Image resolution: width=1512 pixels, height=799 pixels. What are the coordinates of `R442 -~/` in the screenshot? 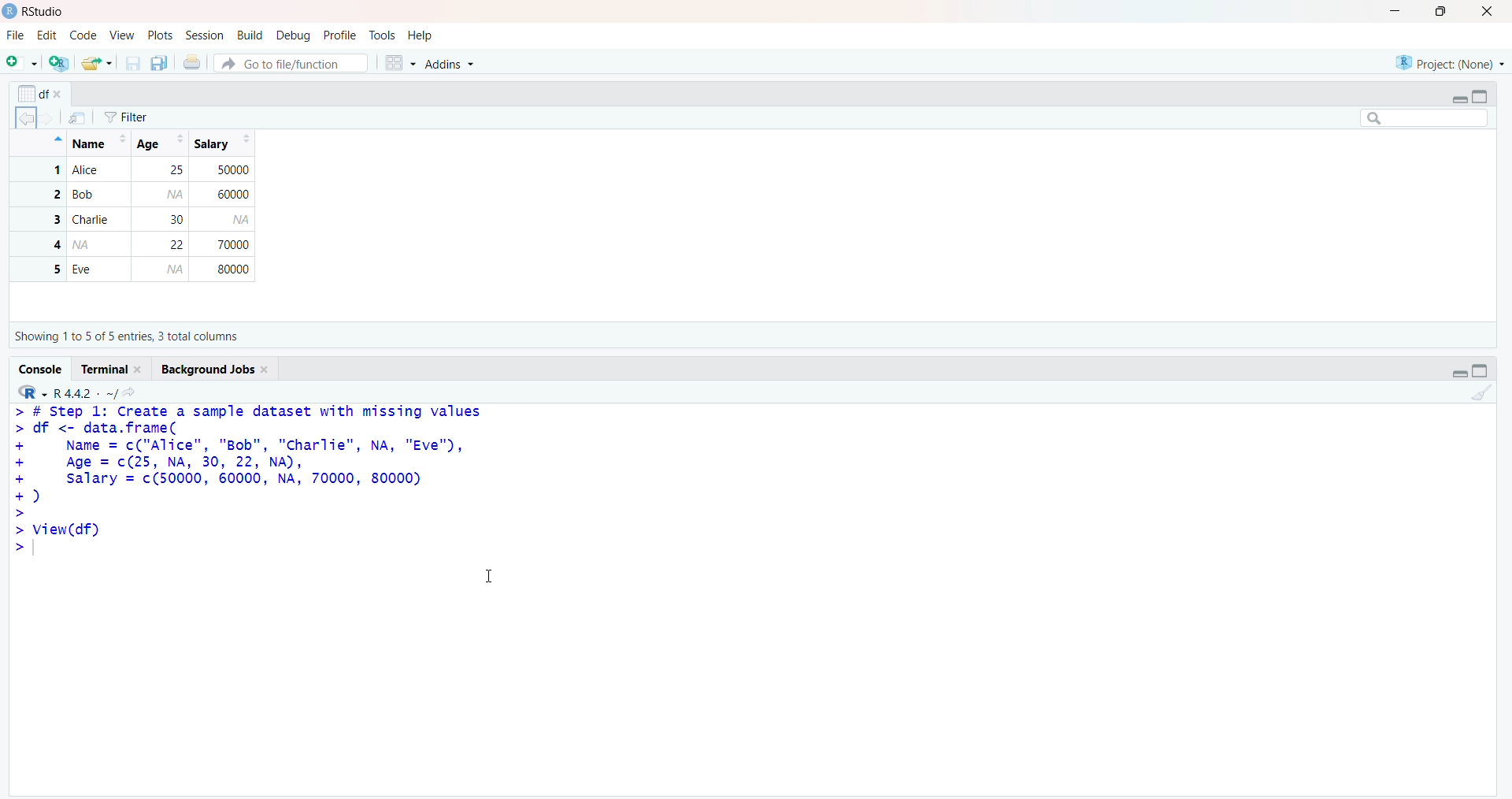 It's located at (83, 393).